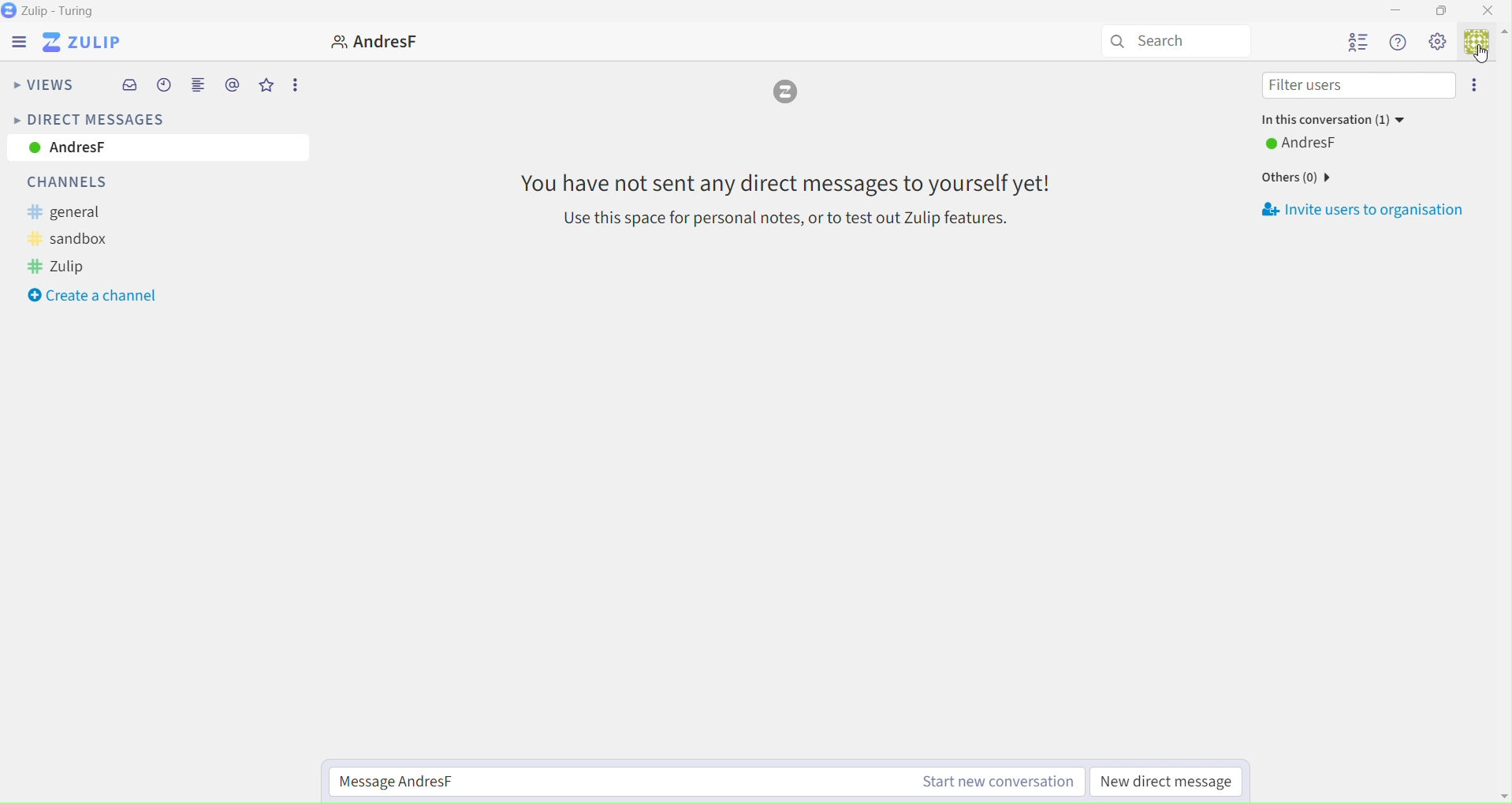 The width and height of the screenshot is (1512, 803). What do you see at coordinates (73, 267) in the screenshot?
I see `Zulip` at bounding box center [73, 267].